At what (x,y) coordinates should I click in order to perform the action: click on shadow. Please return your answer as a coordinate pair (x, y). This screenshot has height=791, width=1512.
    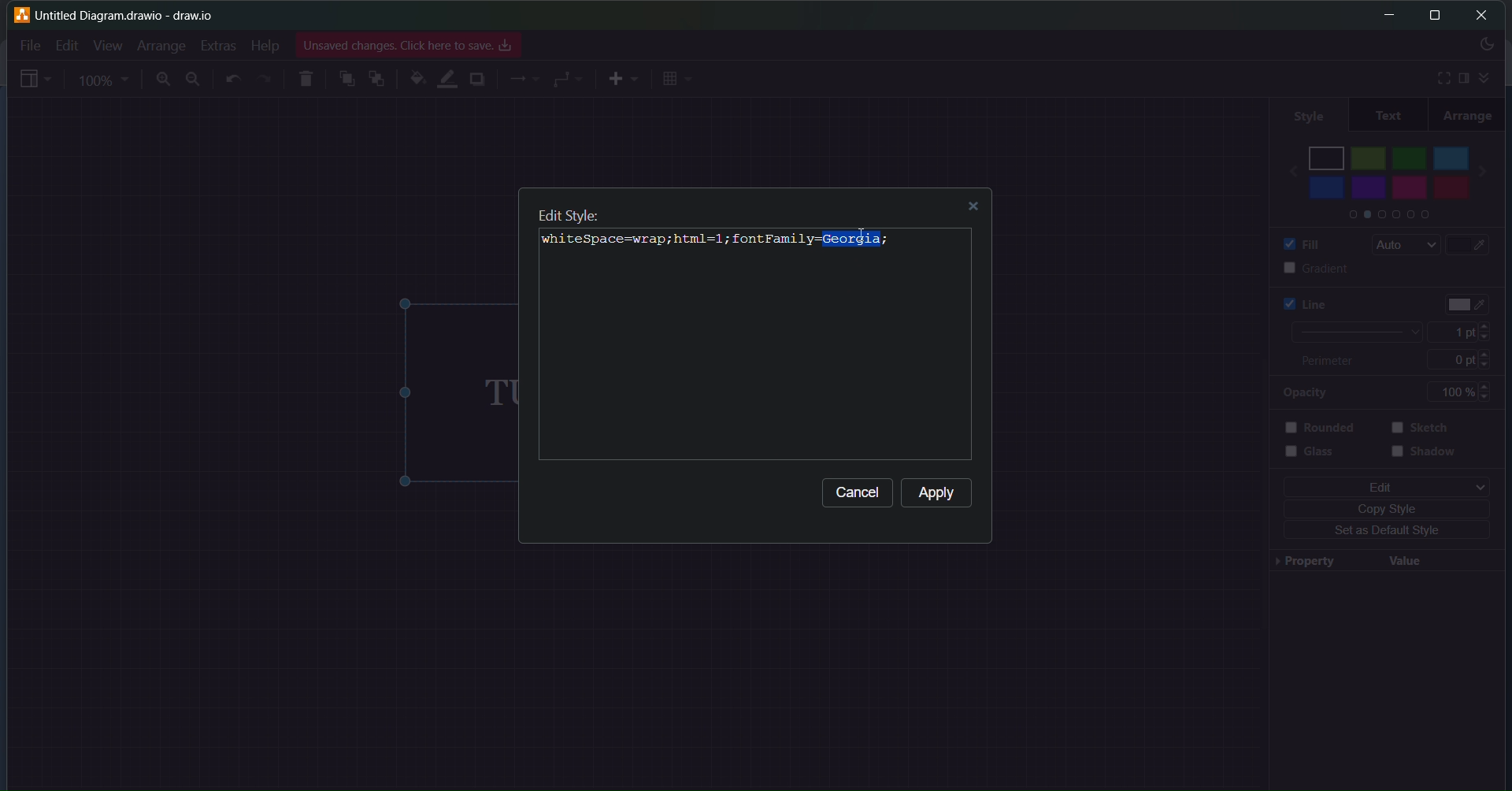
    Looking at the image, I should click on (478, 81).